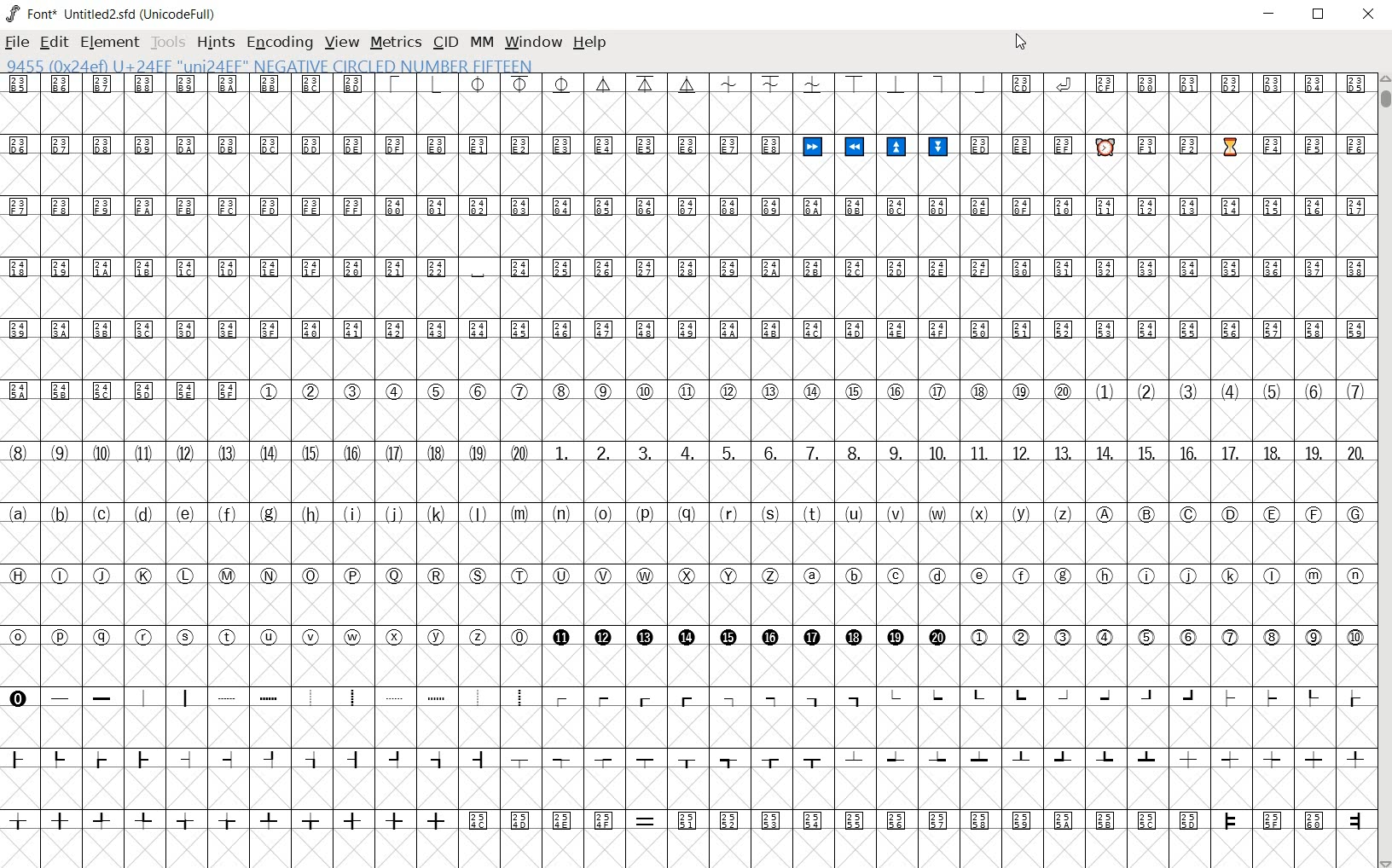  Describe the element at coordinates (683, 464) in the screenshot. I see `glyph characters` at that location.